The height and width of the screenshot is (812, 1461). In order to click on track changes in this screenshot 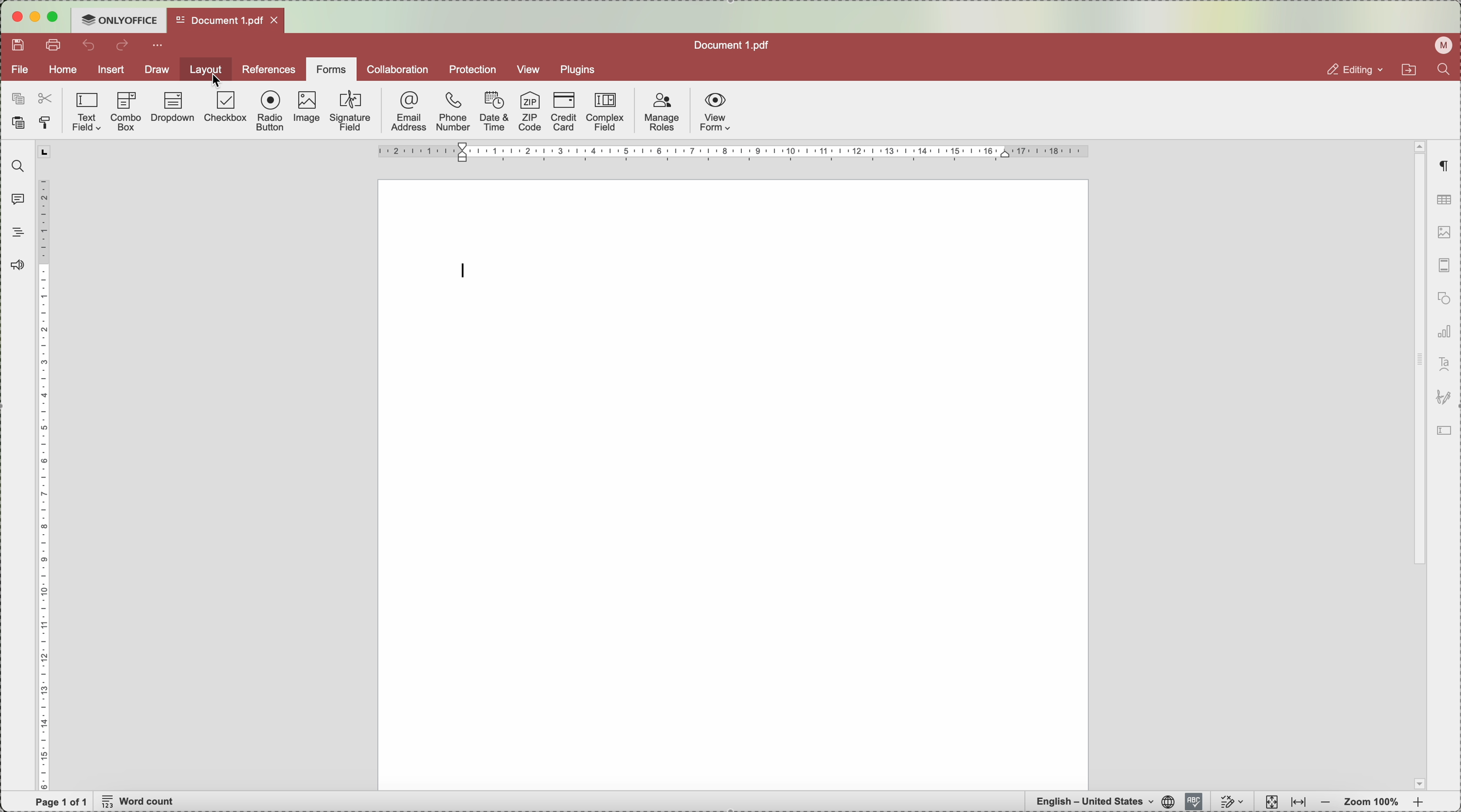, I will do `click(1232, 802)`.